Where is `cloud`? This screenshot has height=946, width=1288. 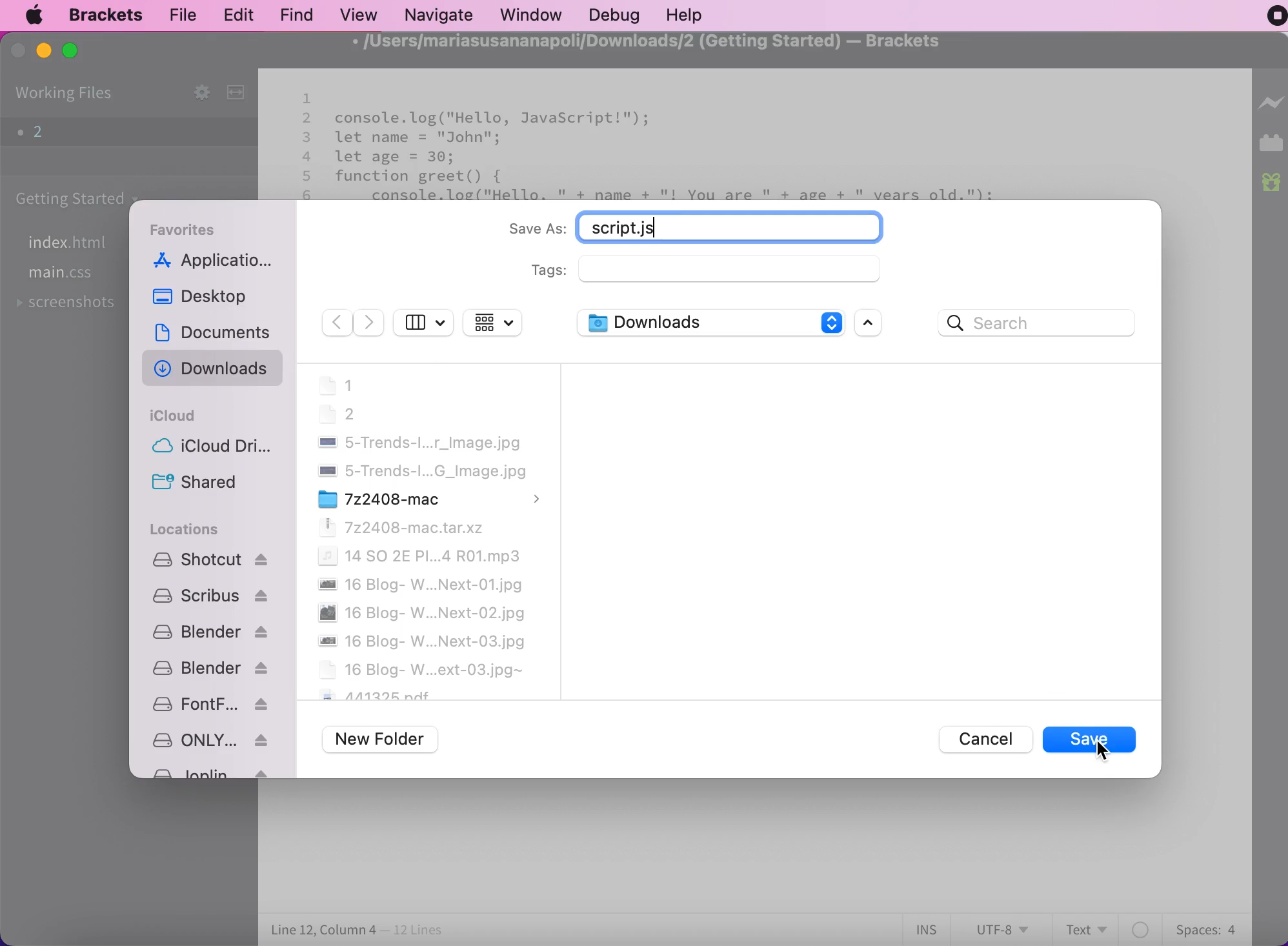
cloud is located at coordinates (174, 416).